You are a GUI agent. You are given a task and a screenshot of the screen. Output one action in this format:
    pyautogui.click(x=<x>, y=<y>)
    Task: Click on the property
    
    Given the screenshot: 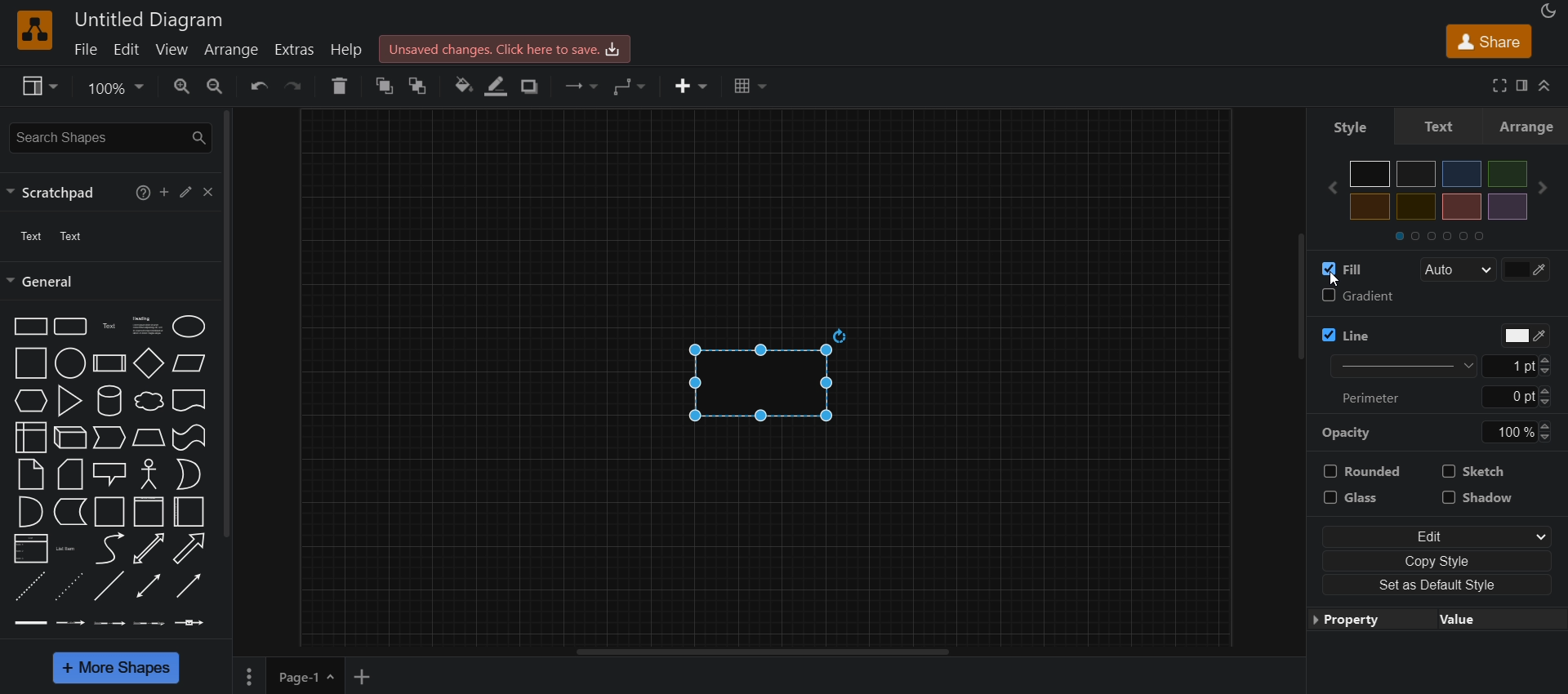 What is the action you would take?
    pyautogui.click(x=1362, y=621)
    